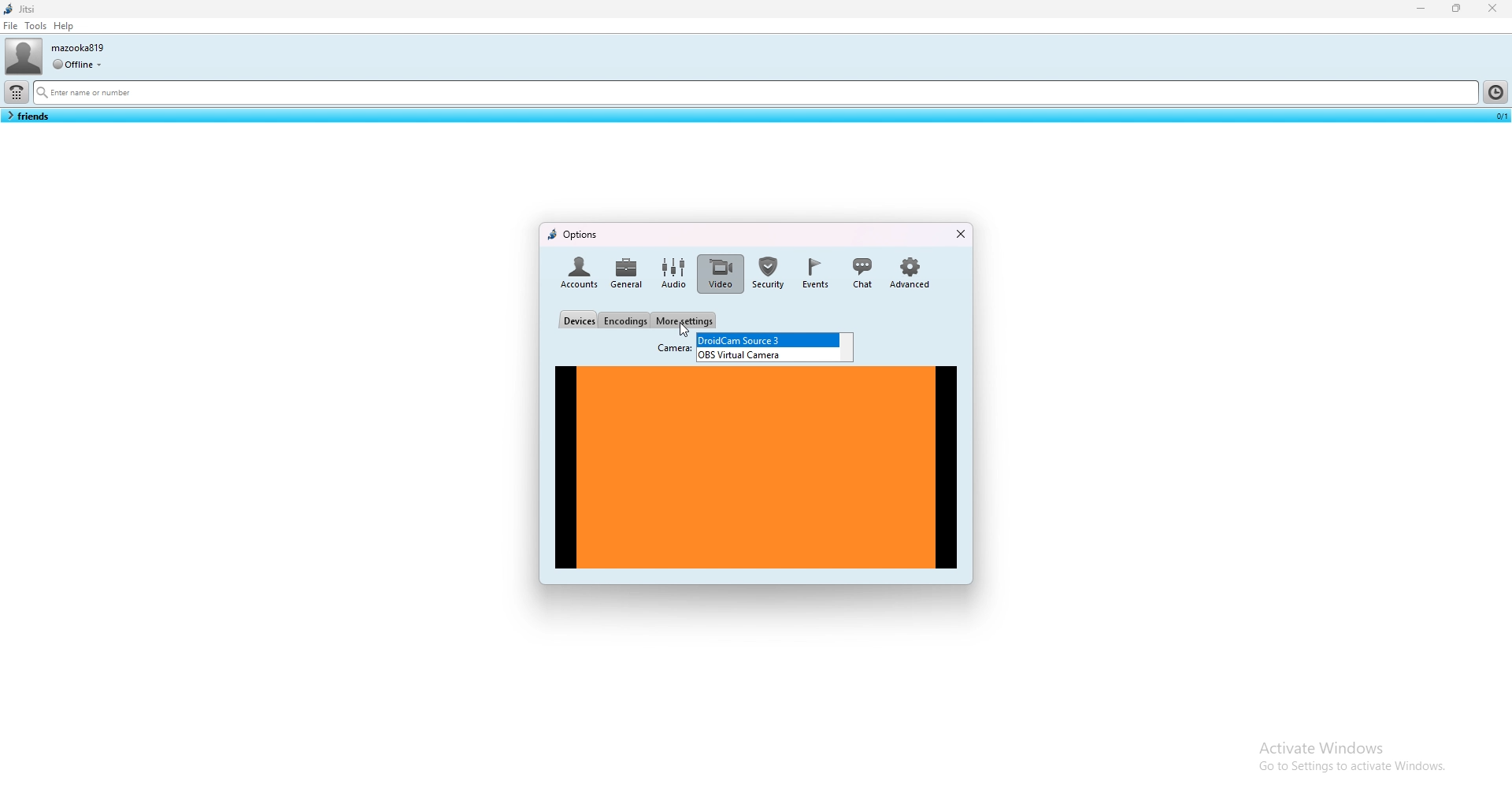  I want to click on user photo, so click(23, 56).